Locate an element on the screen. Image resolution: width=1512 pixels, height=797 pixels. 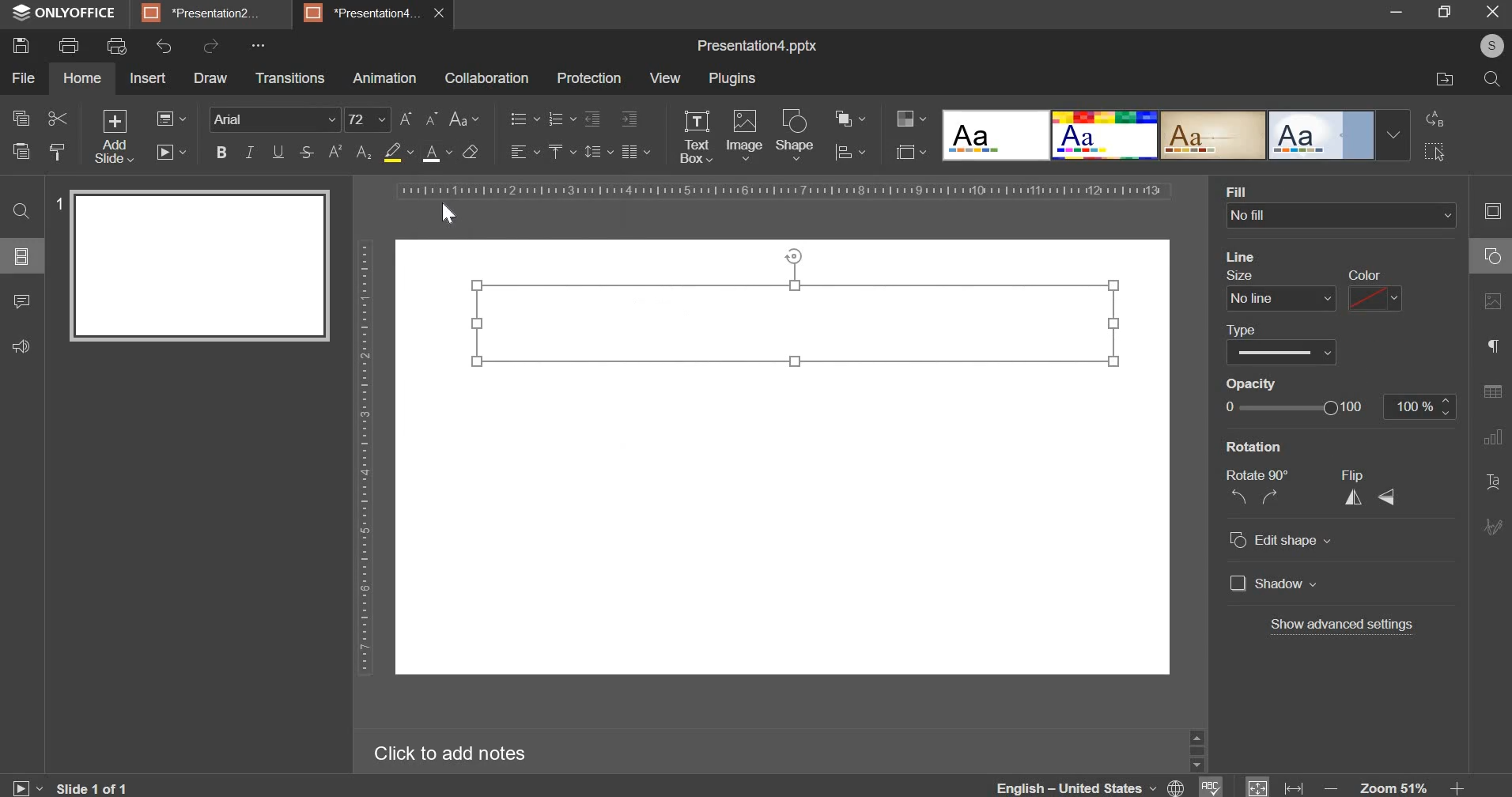
File is located at coordinates (1436, 81).